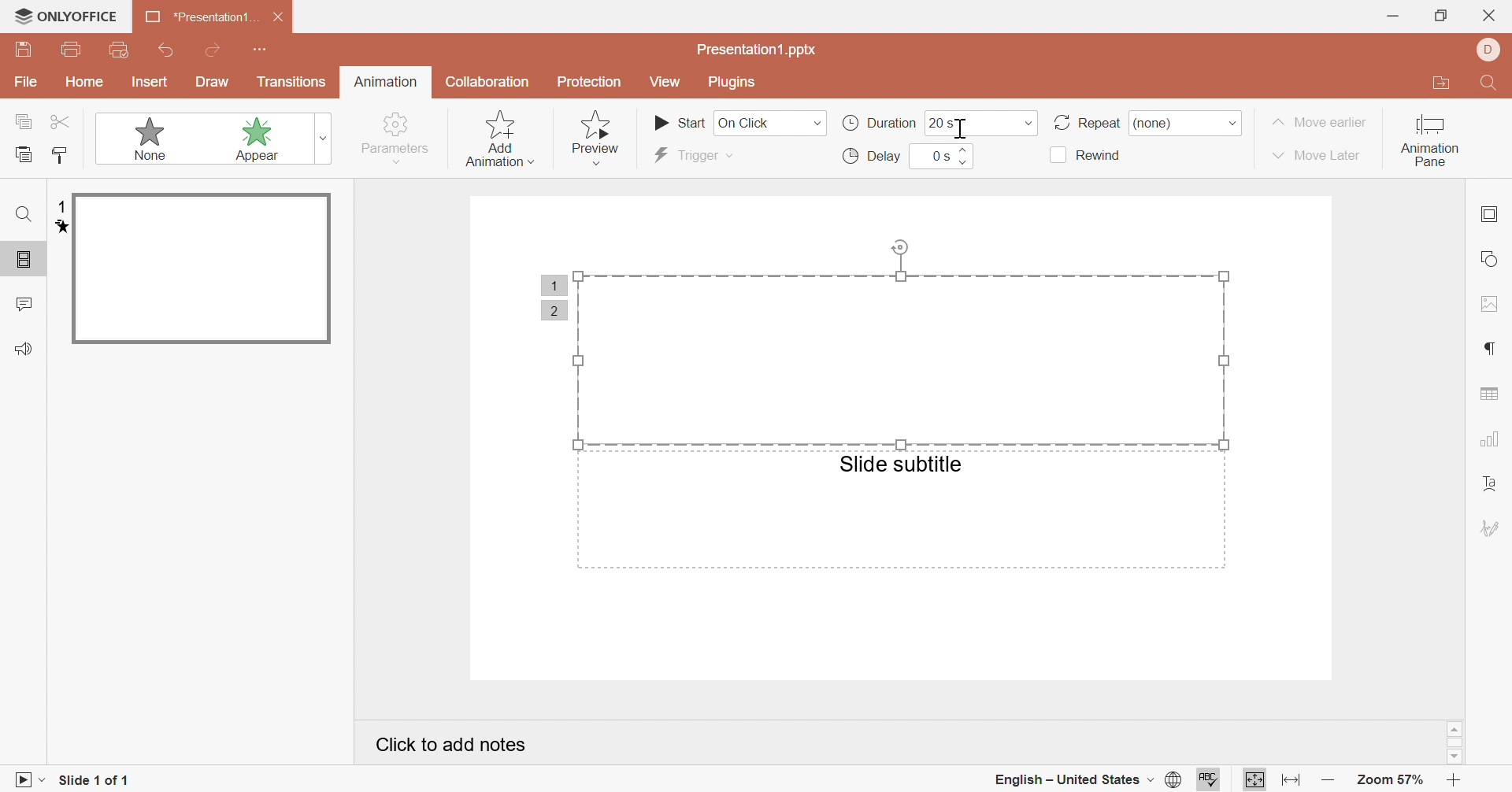  What do you see at coordinates (1177, 781) in the screenshot?
I see `set document language` at bounding box center [1177, 781].